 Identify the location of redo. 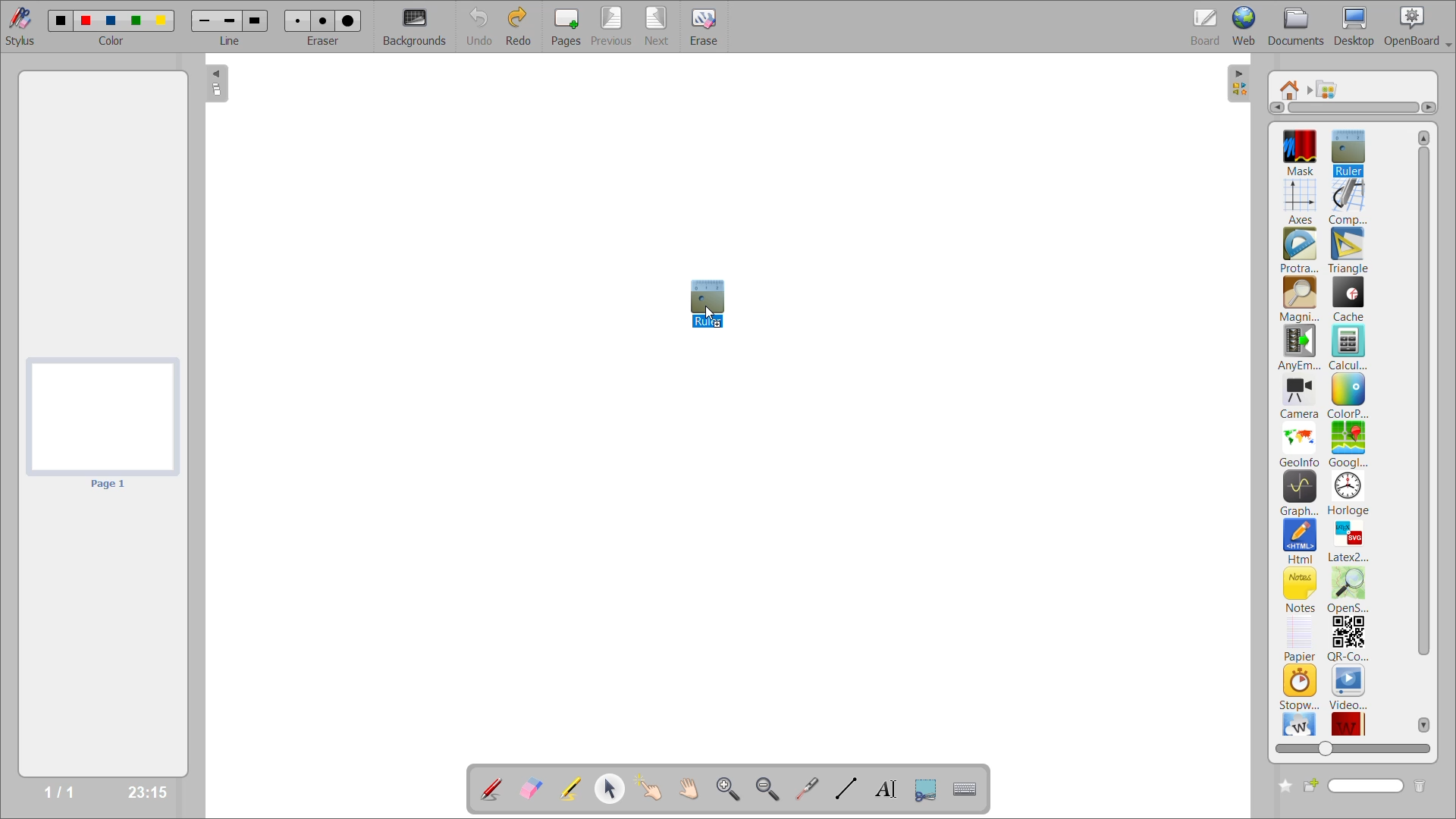
(522, 25).